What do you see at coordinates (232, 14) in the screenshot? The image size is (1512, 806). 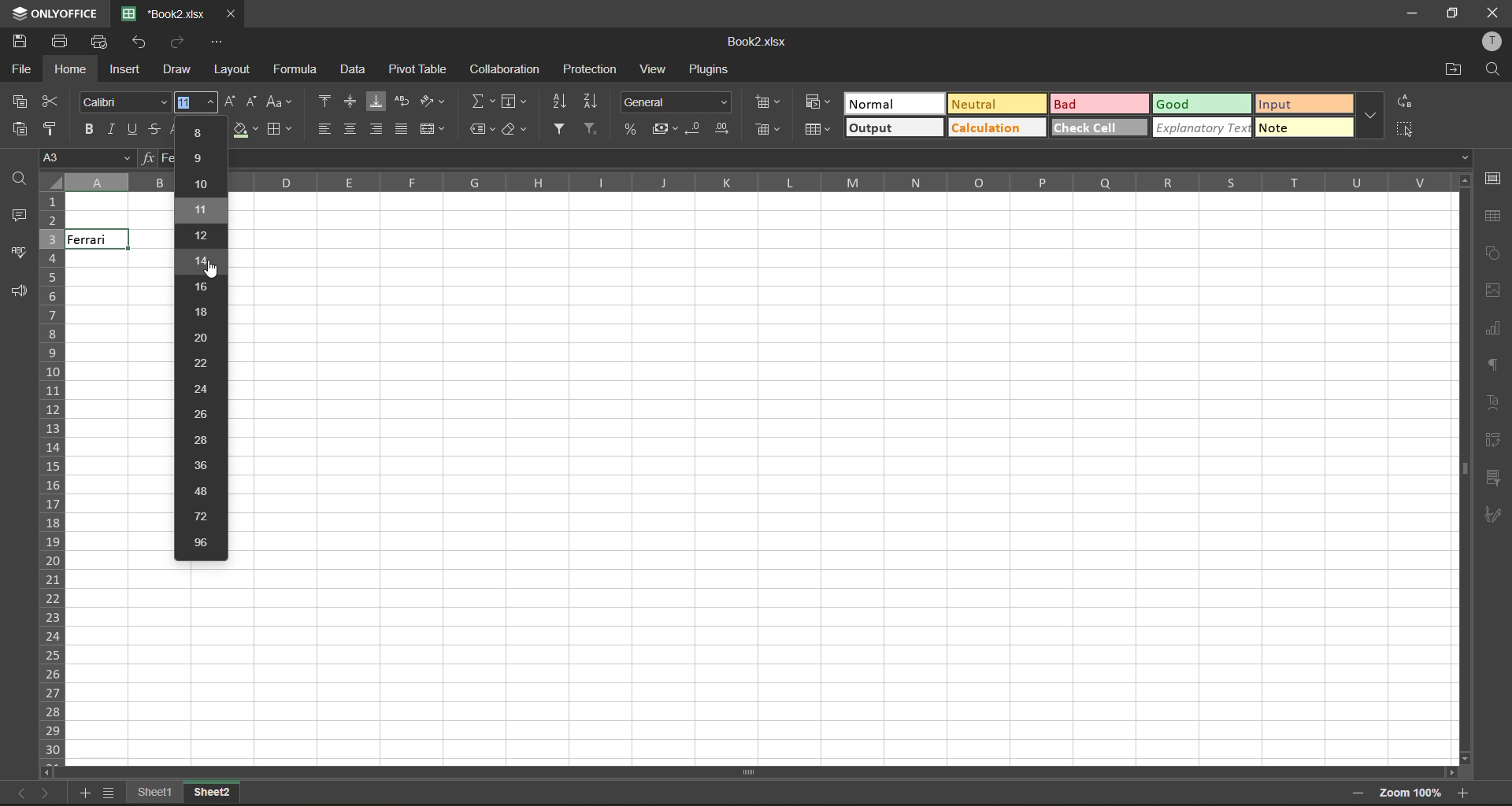 I see `close tab` at bounding box center [232, 14].